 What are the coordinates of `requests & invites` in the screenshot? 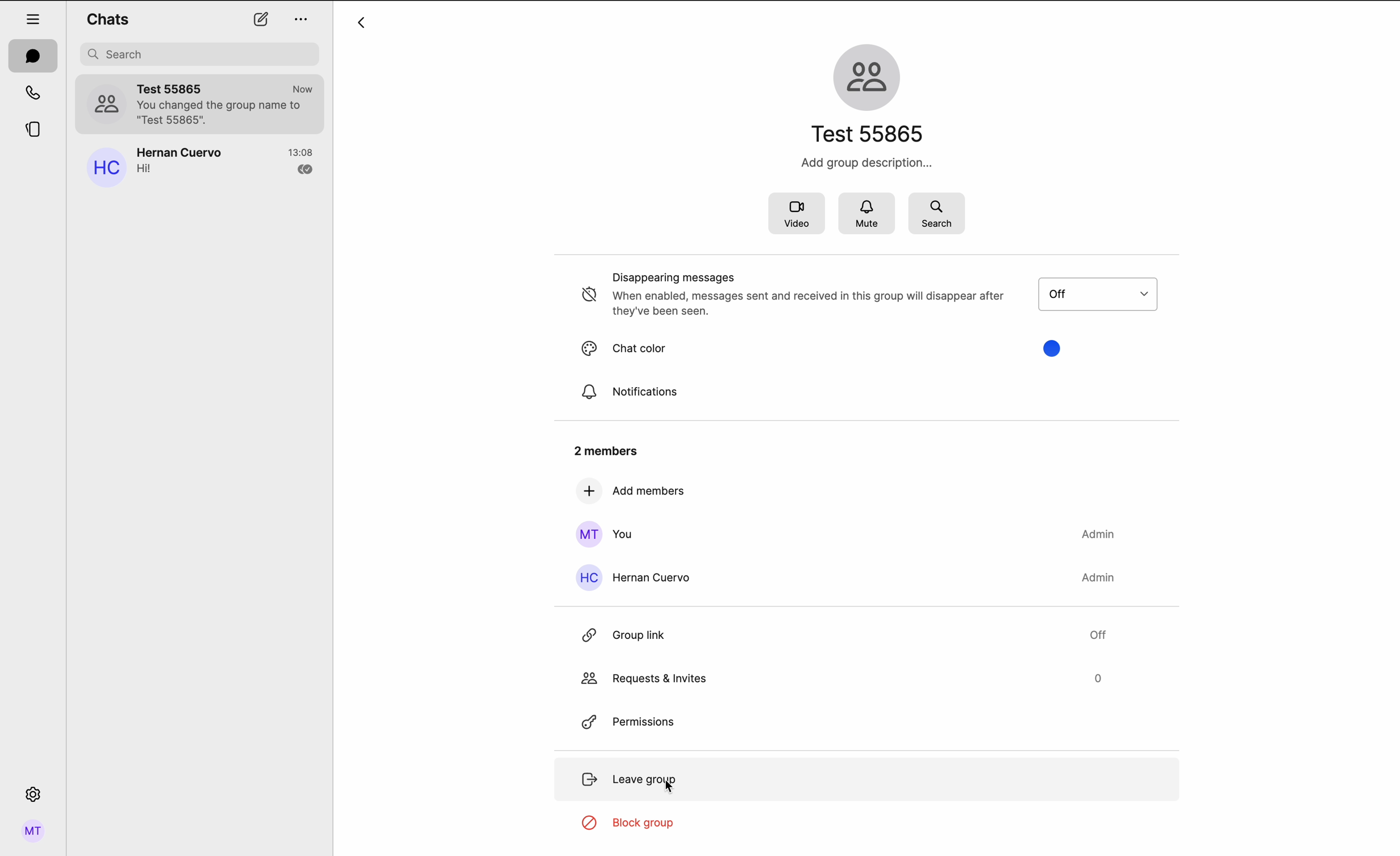 It's located at (841, 678).